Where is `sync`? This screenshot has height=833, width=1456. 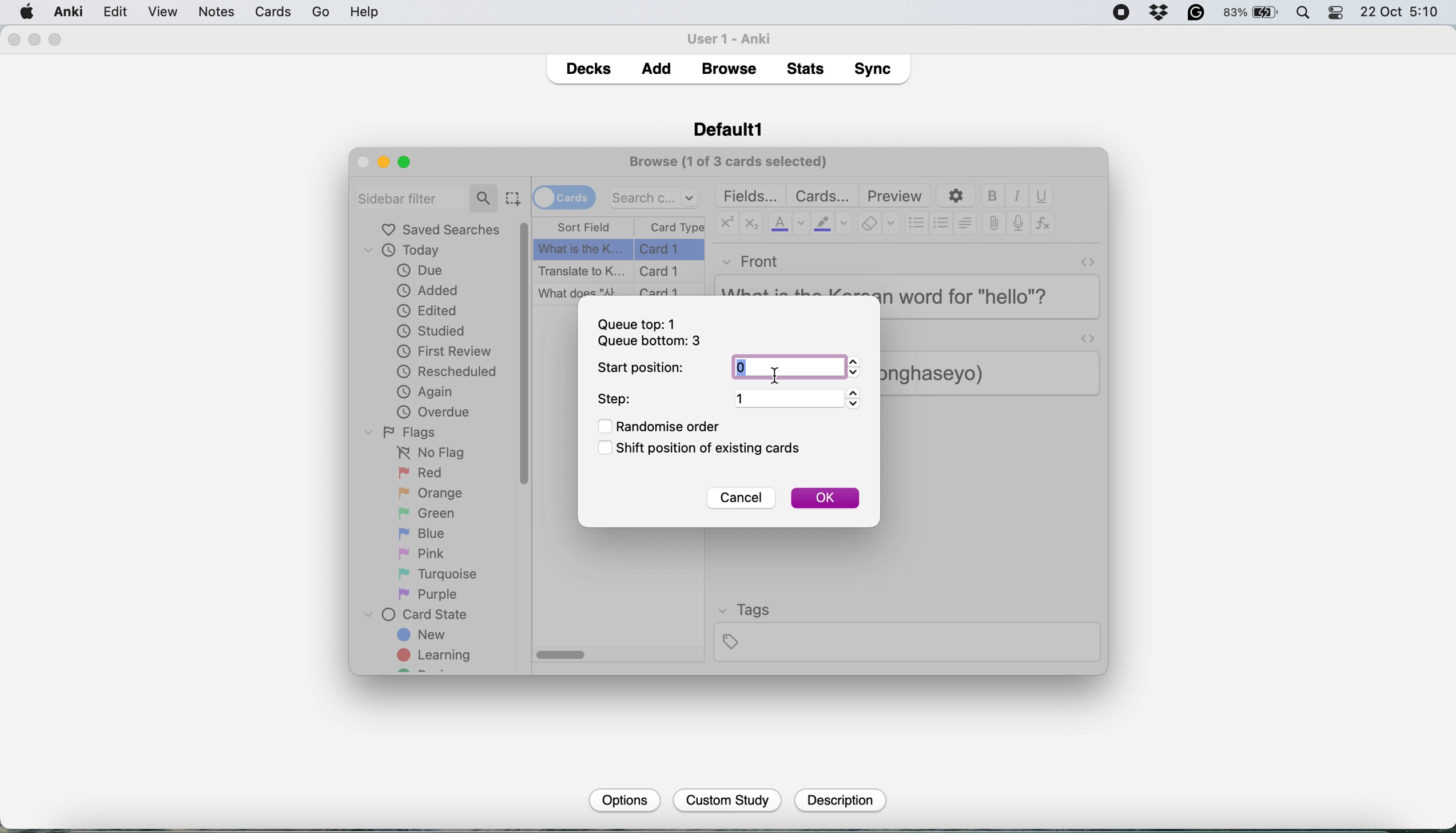
sync is located at coordinates (876, 71).